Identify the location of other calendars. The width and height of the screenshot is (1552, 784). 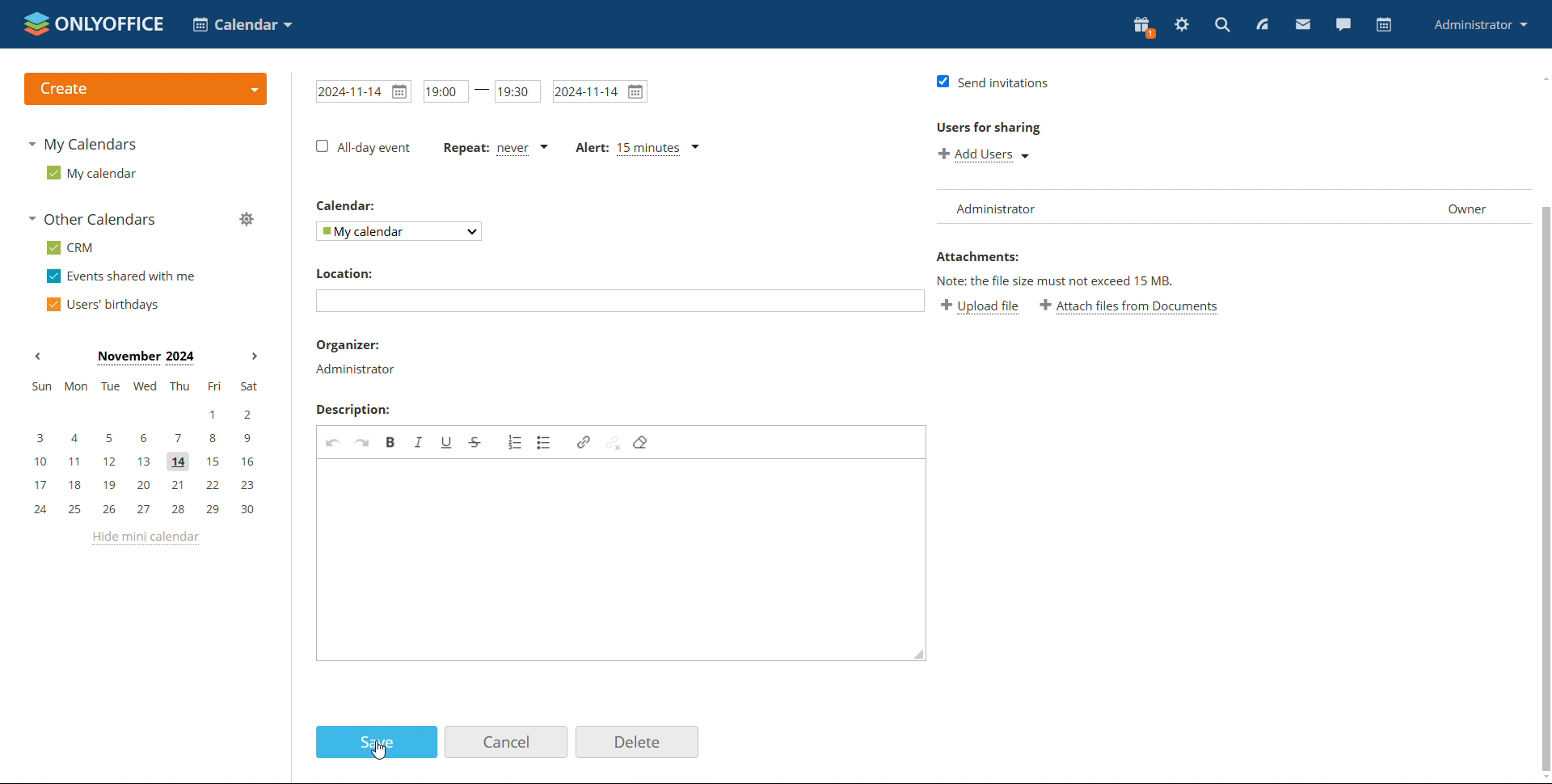
(92, 218).